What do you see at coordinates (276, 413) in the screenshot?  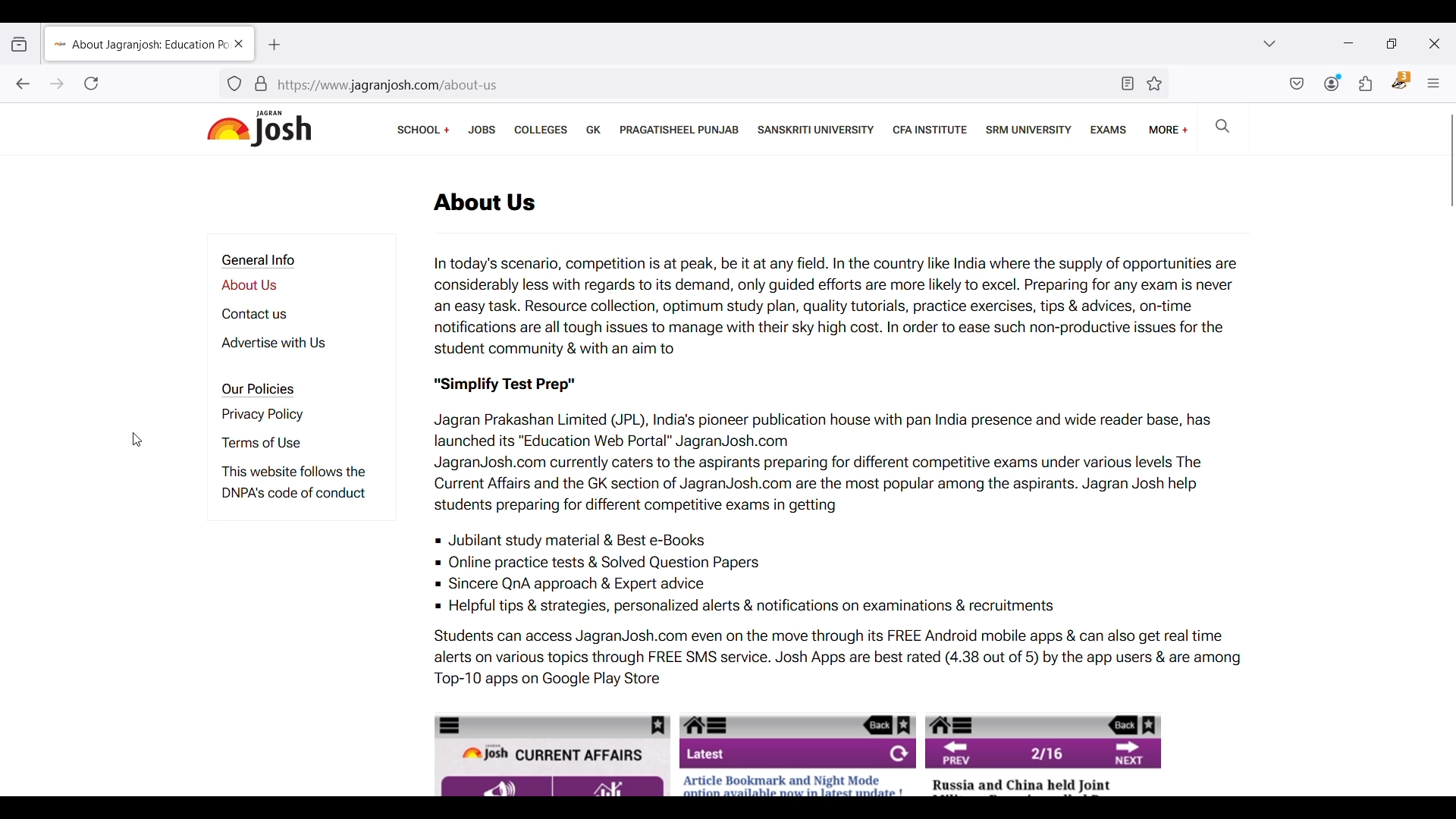 I see `Privacy policy page` at bounding box center [276, 413].